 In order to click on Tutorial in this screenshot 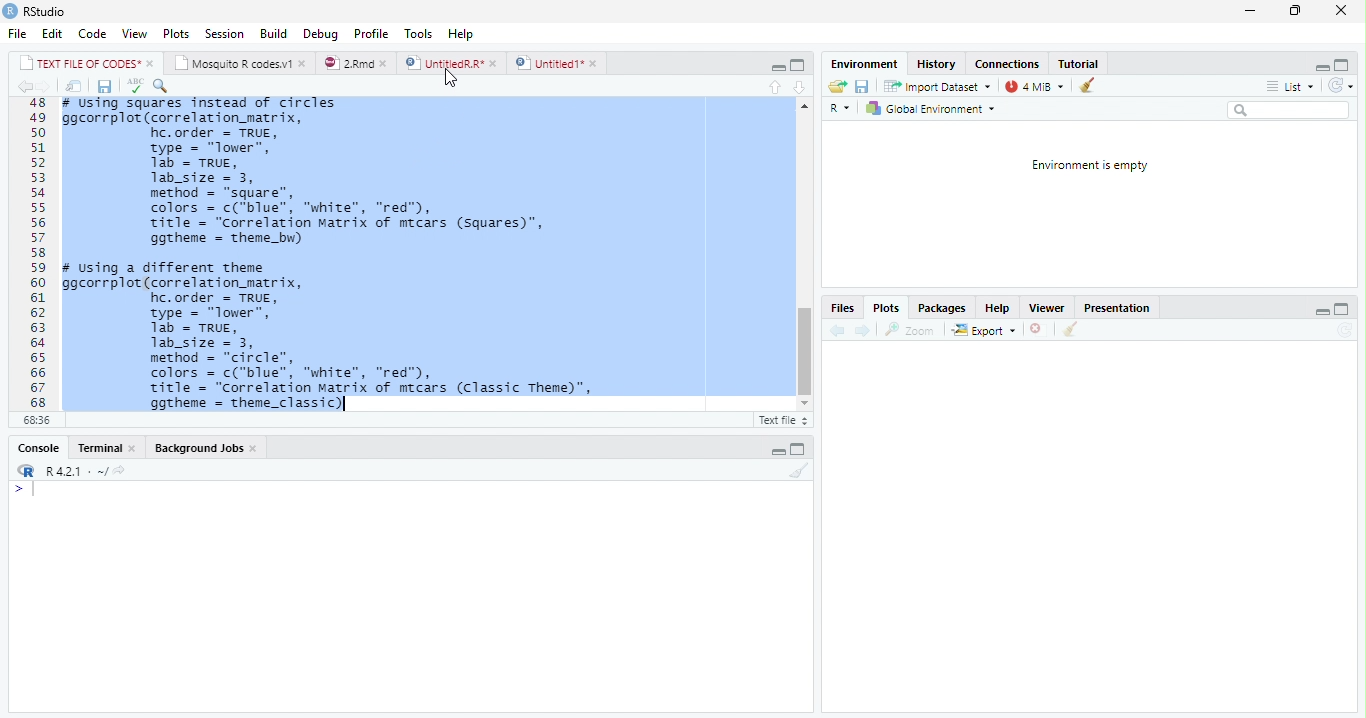, I will do `click(1080, 63)`.